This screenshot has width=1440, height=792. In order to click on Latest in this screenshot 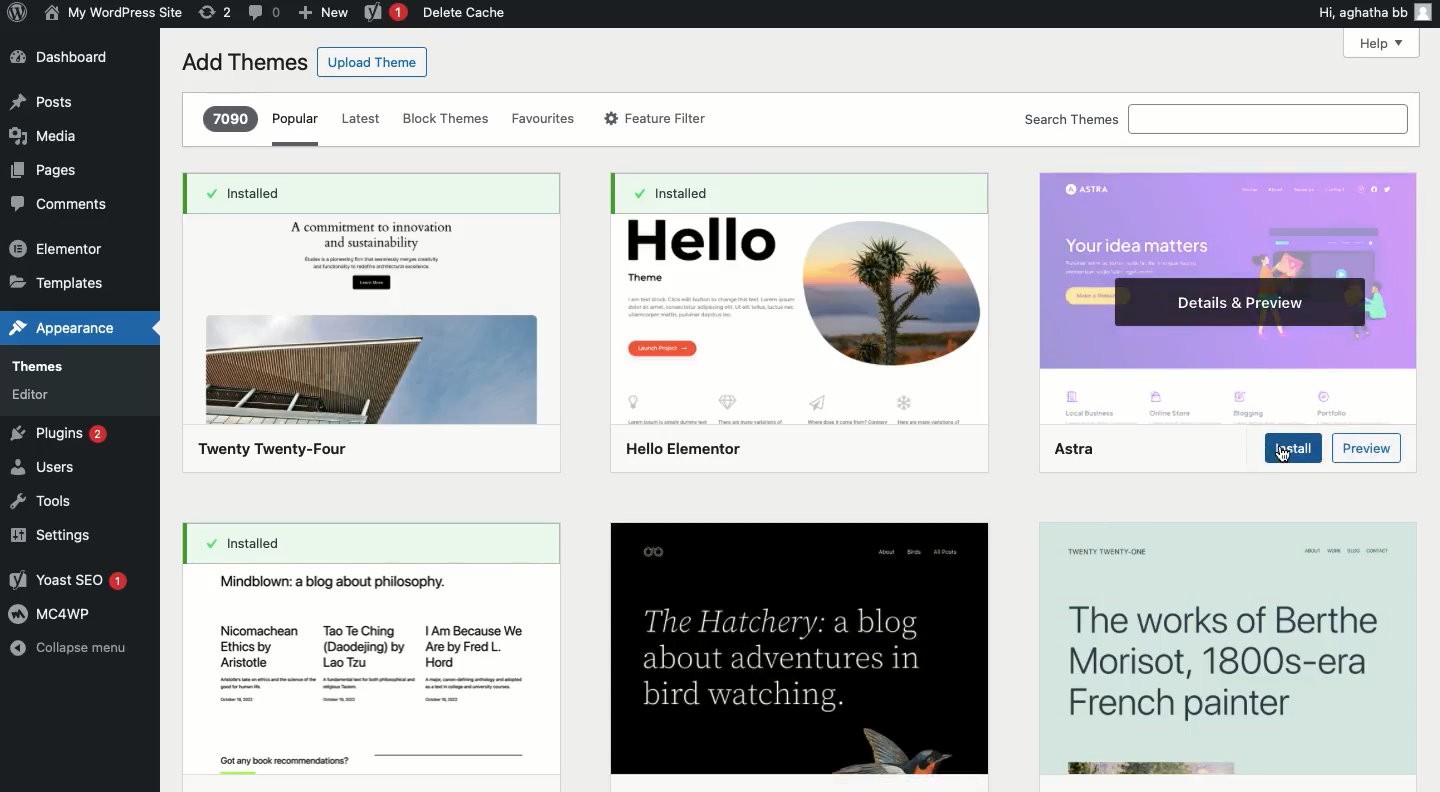, I will do `click(361, 119)`.